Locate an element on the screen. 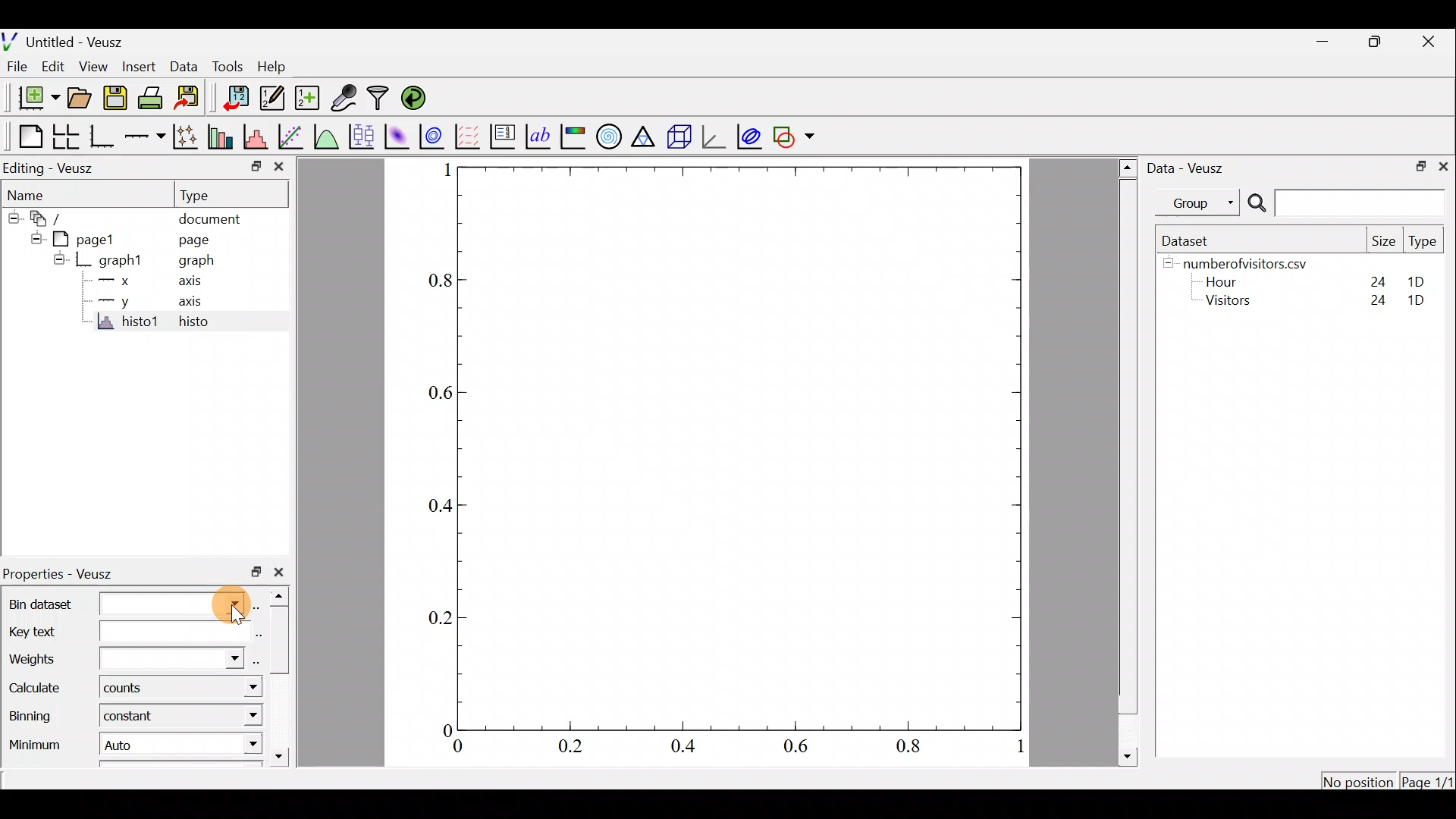  Tools is located at coordinates (231, 67).